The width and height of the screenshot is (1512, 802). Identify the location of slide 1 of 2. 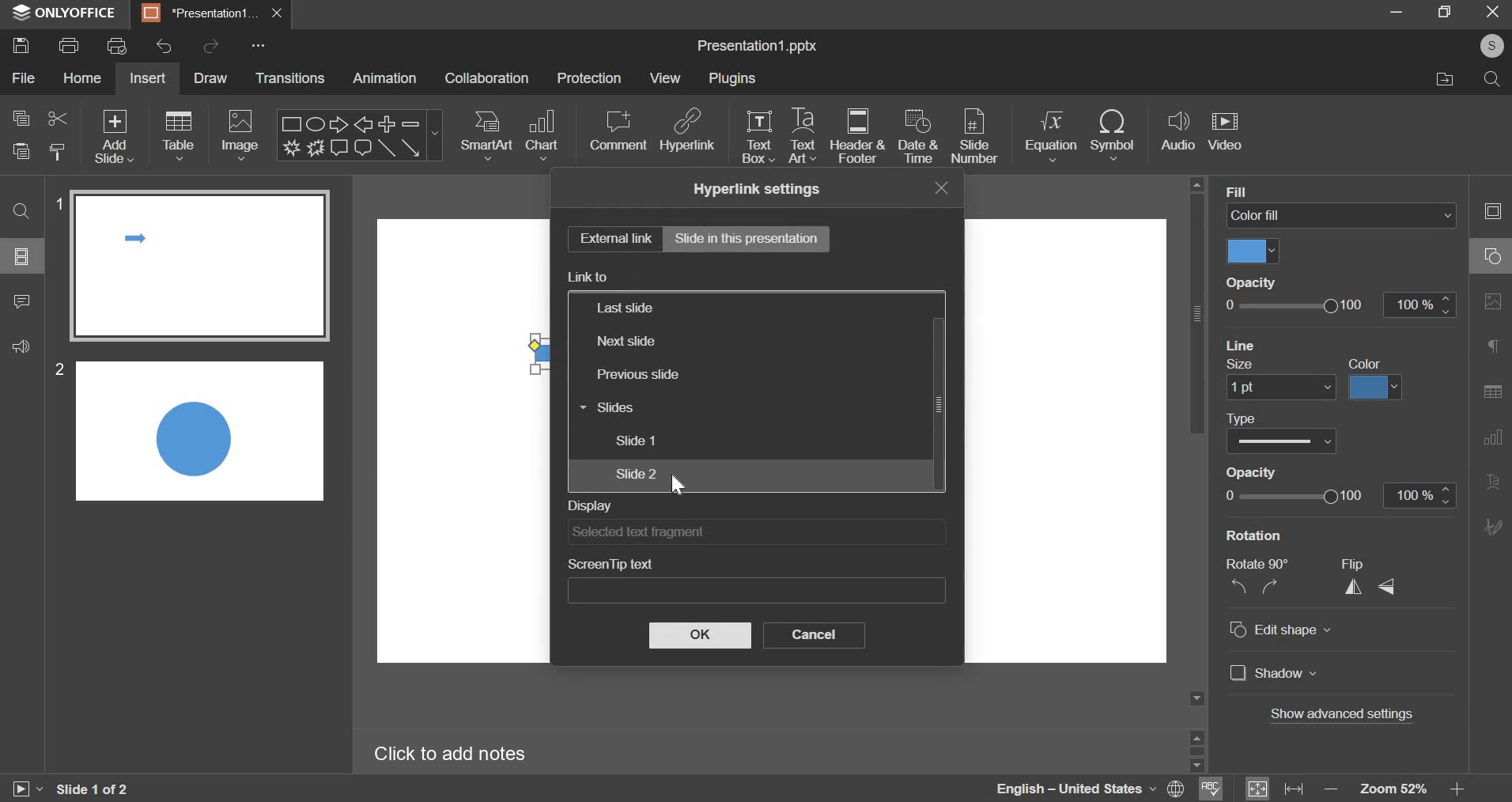
(98, 786).